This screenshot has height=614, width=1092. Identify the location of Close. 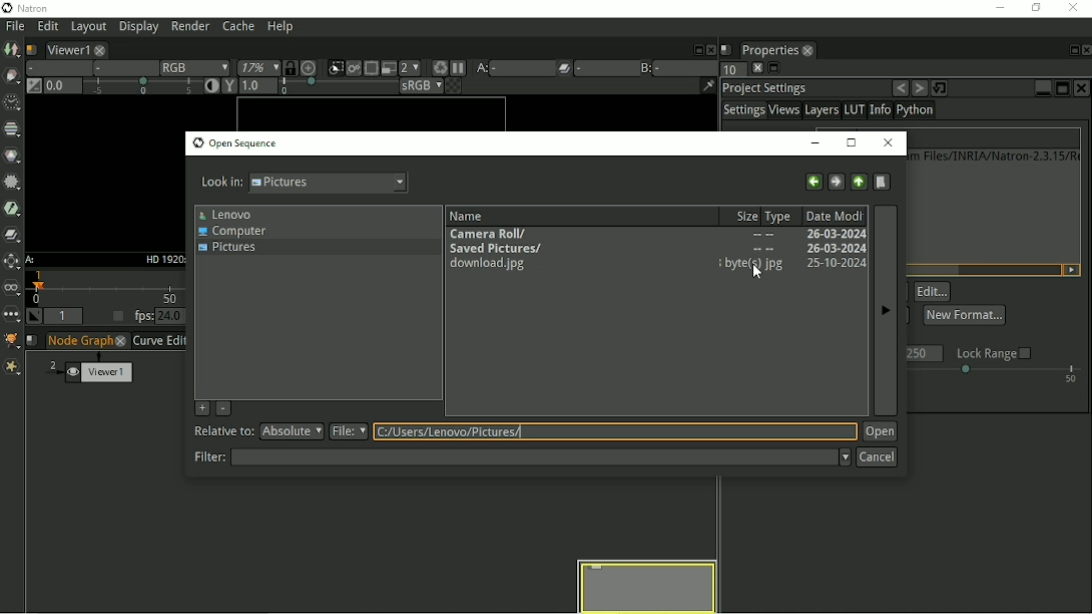
(1085, 50).